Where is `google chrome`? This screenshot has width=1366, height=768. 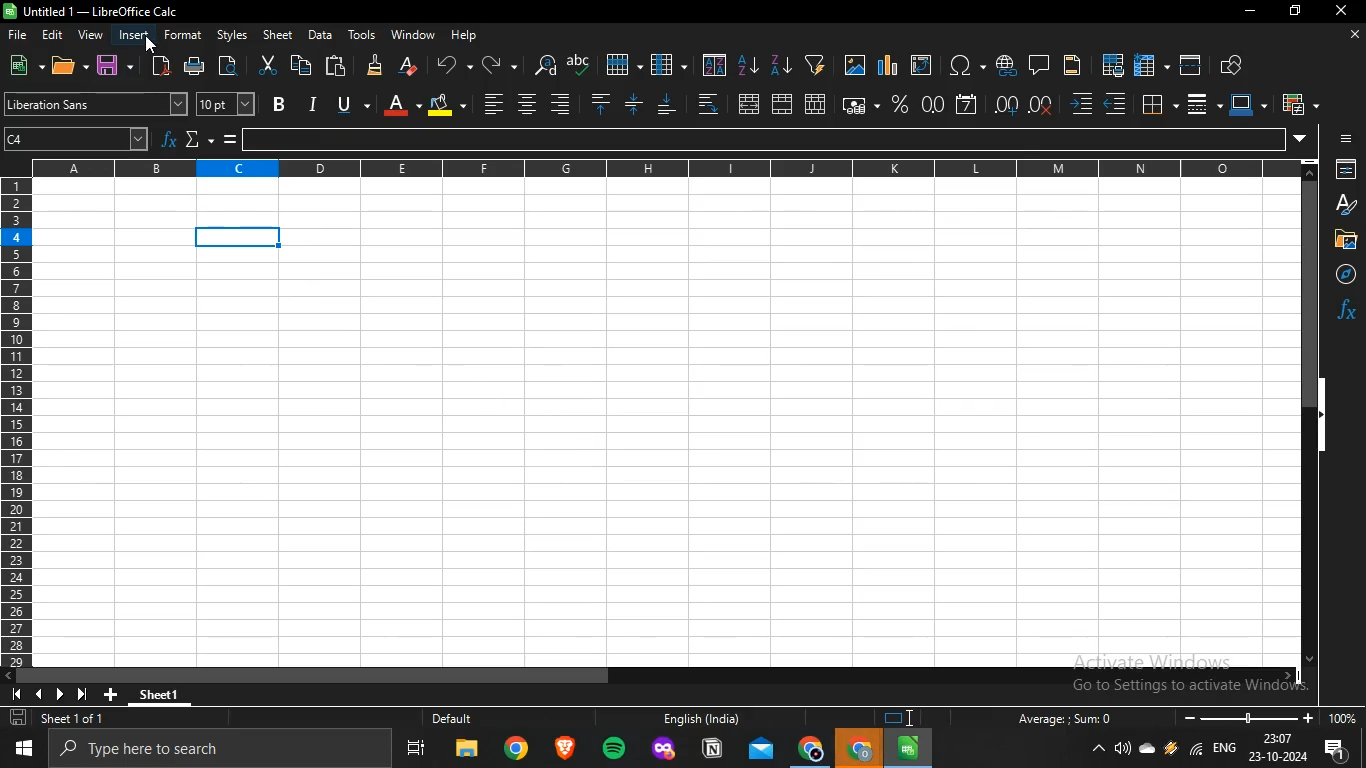 google chrome is located at coordinates (516, 751).